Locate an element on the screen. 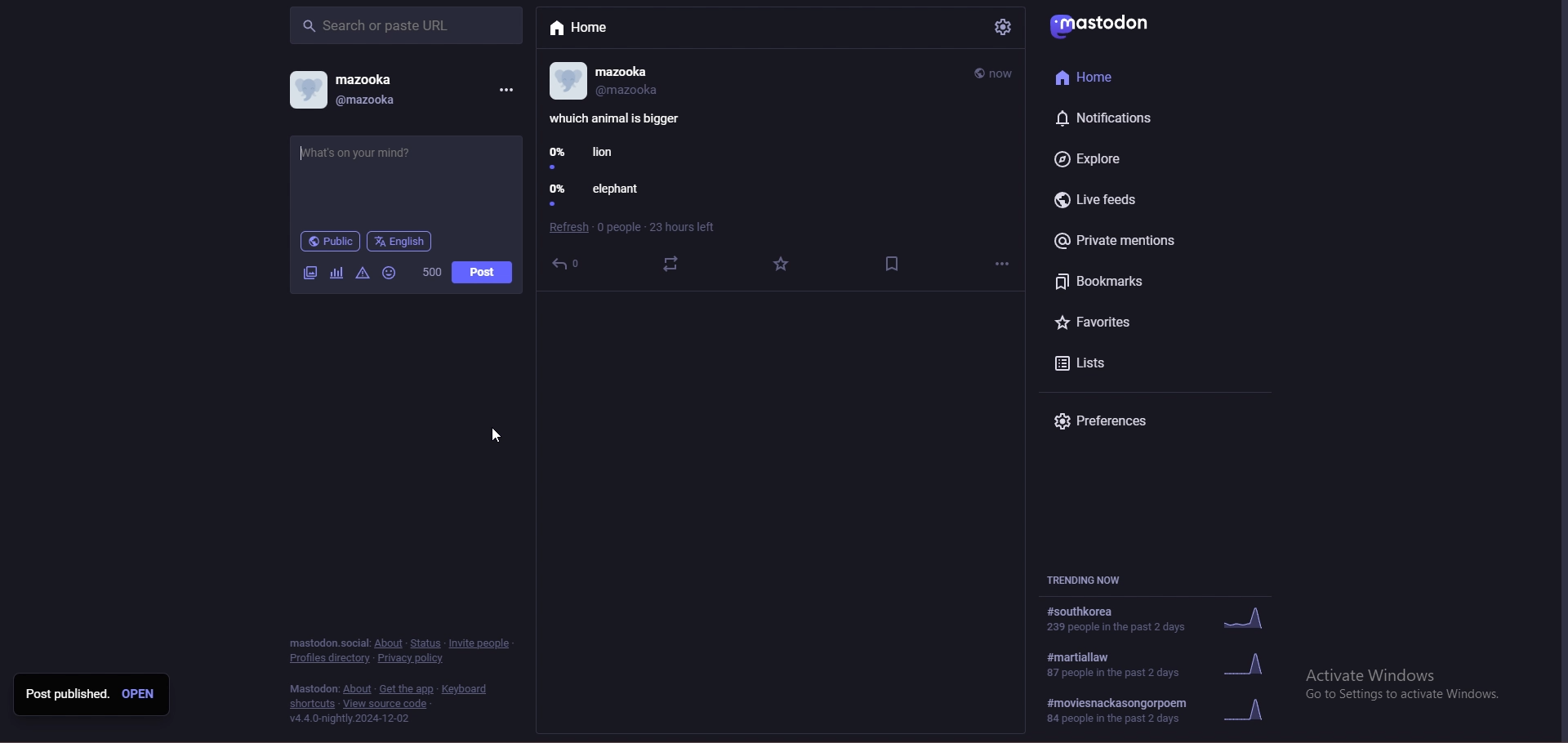  mastodon is located at coordinates (327, 642).